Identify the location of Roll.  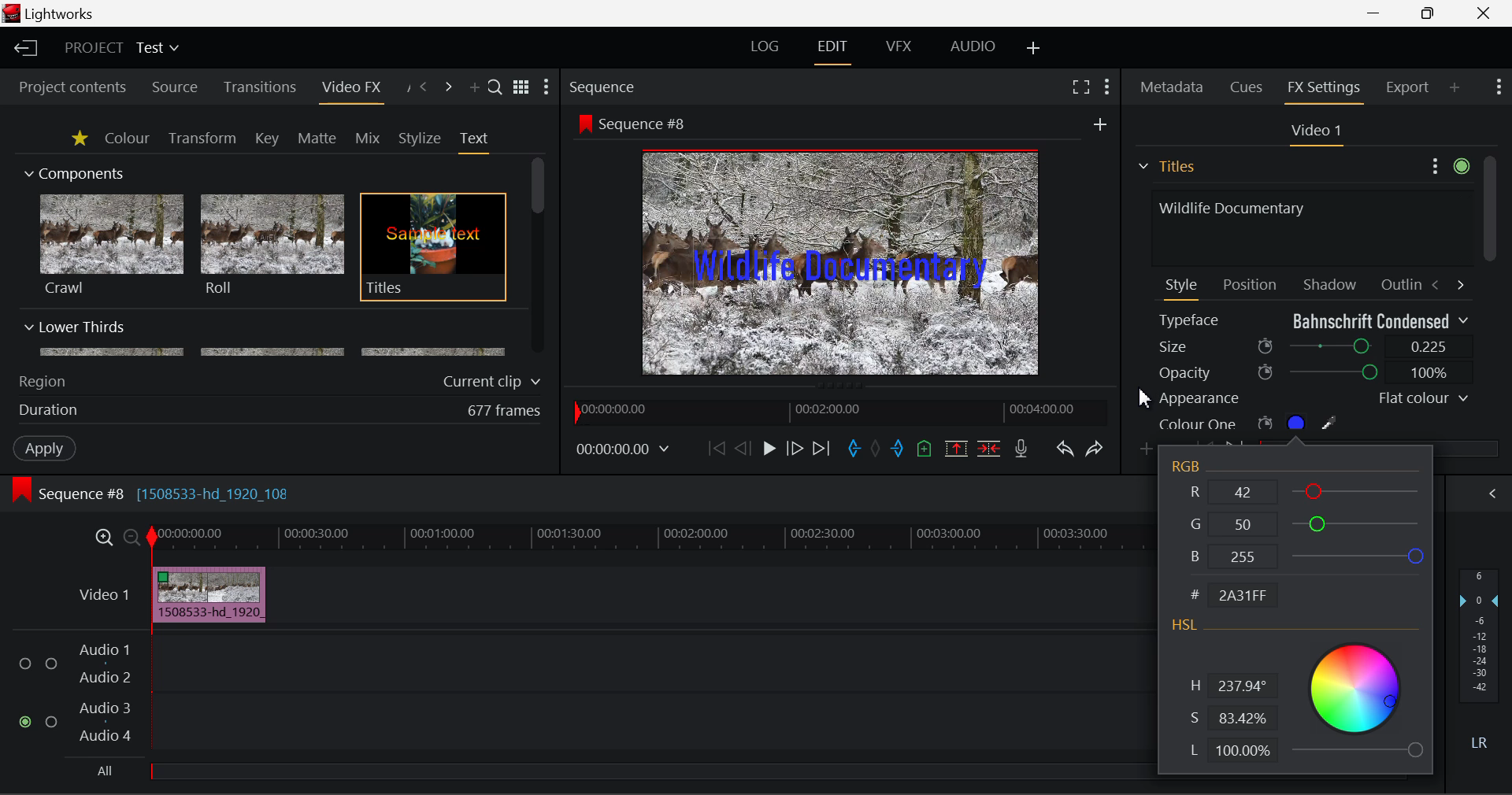
(271, 246).